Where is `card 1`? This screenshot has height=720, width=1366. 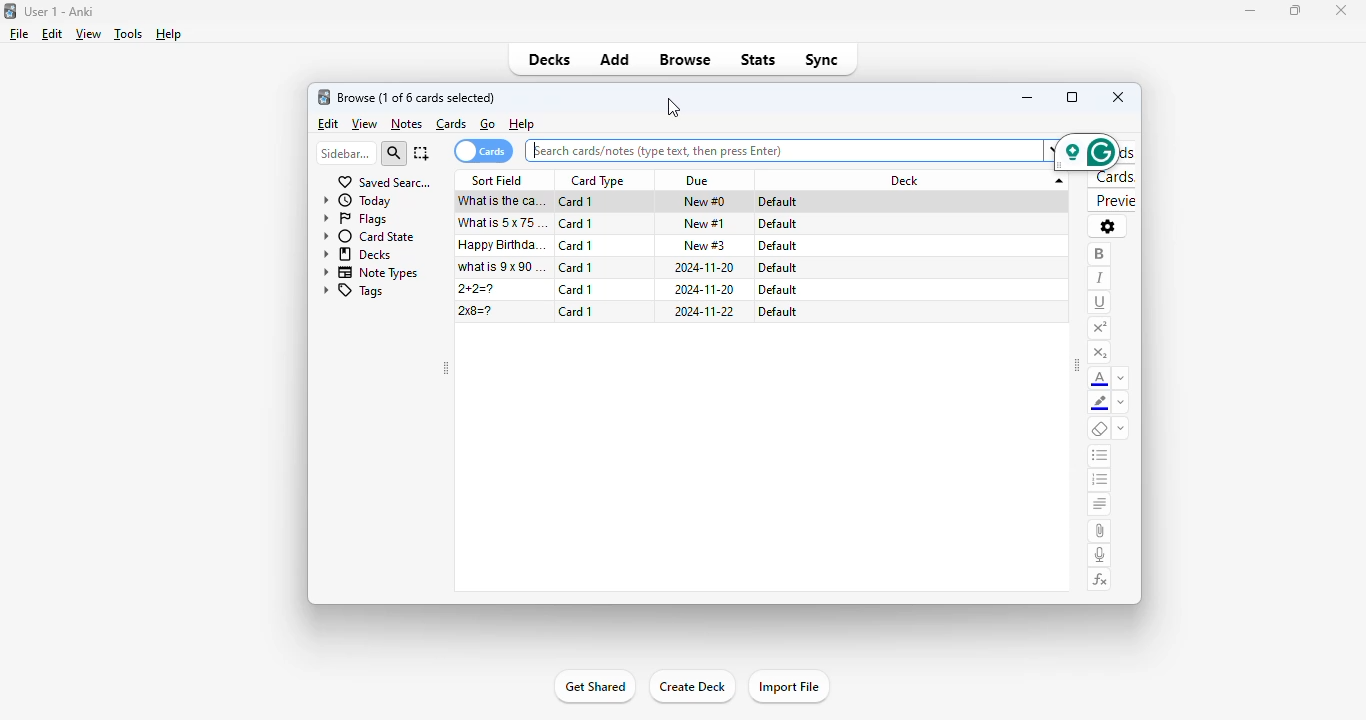
card 1 is located at coordinates (577, 223).